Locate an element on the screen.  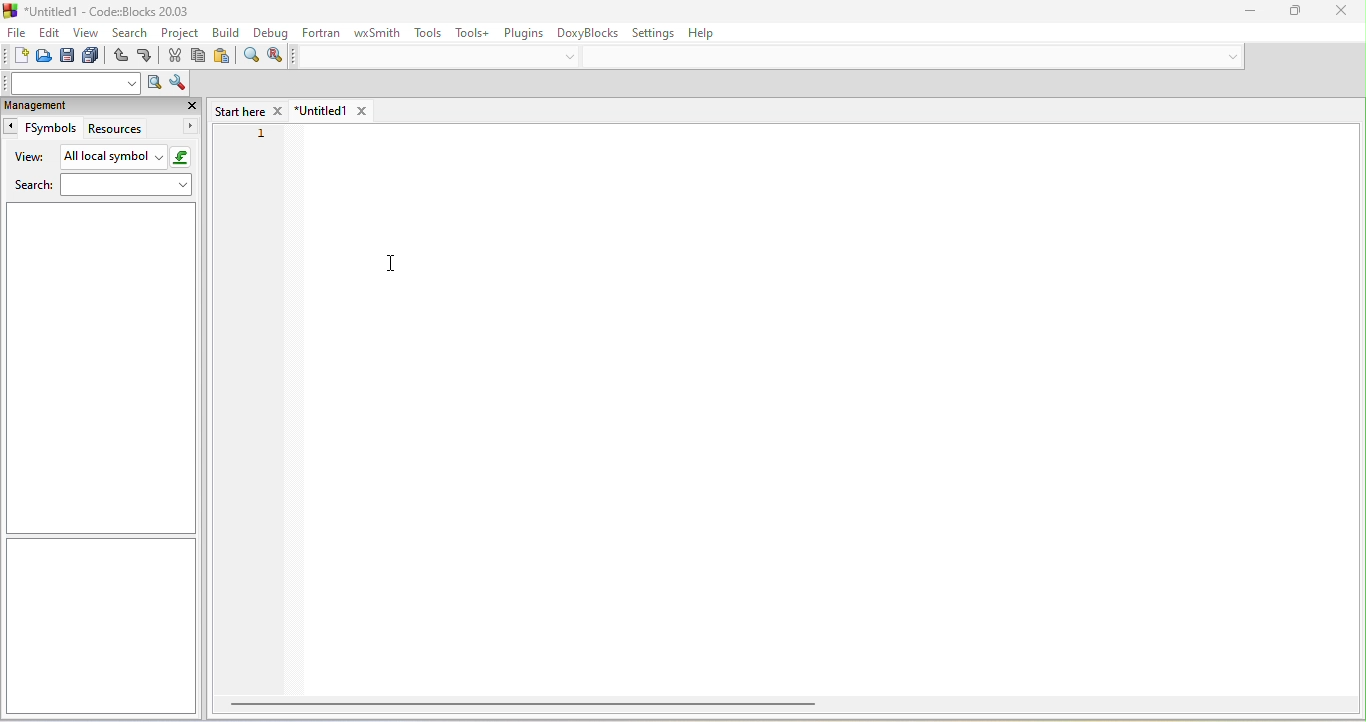
resources is located at coordinates (141, 129).